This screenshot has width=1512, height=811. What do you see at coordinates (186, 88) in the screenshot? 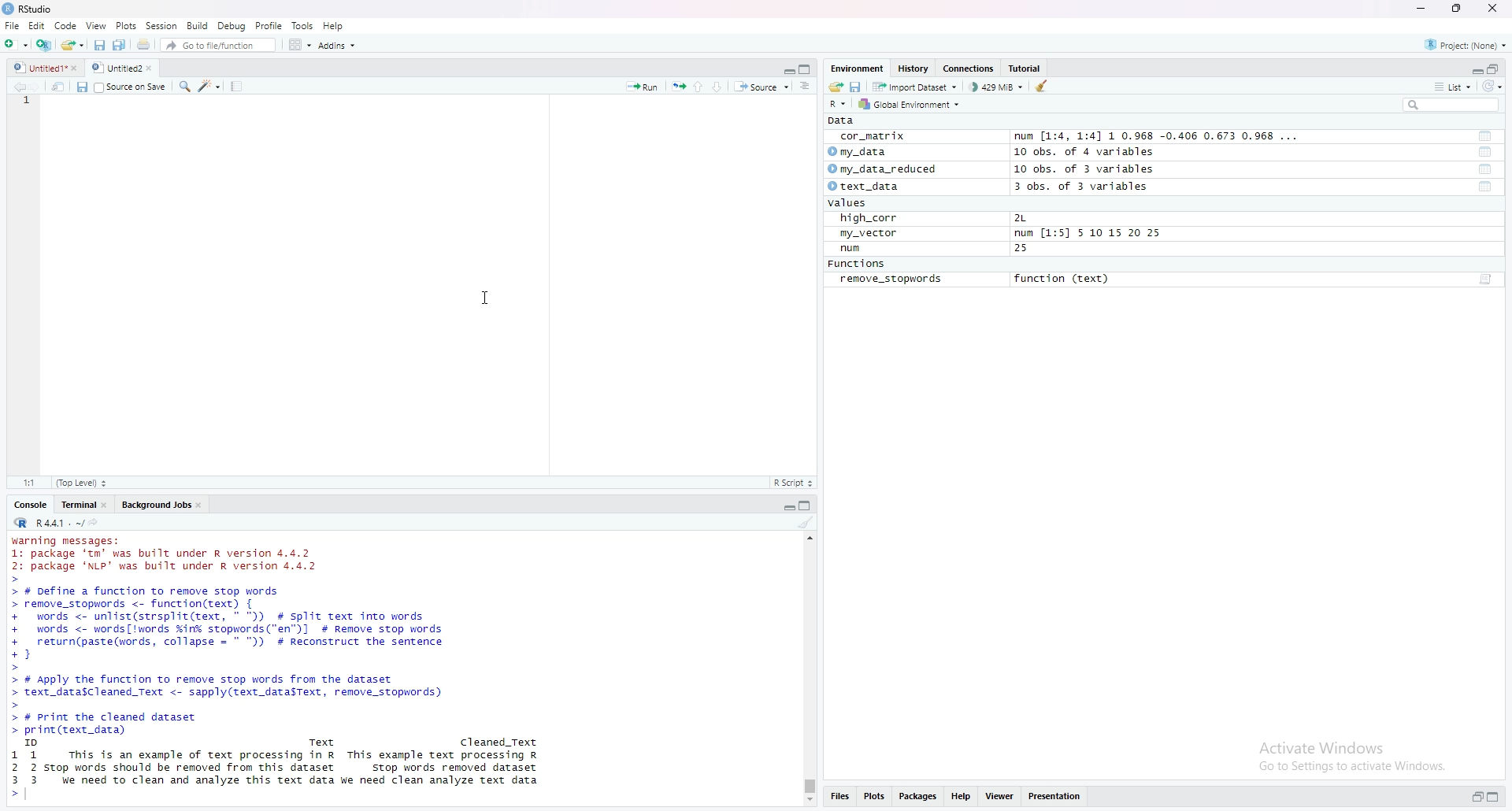
I see `Find/Replace` at bounding box center [186, 88].